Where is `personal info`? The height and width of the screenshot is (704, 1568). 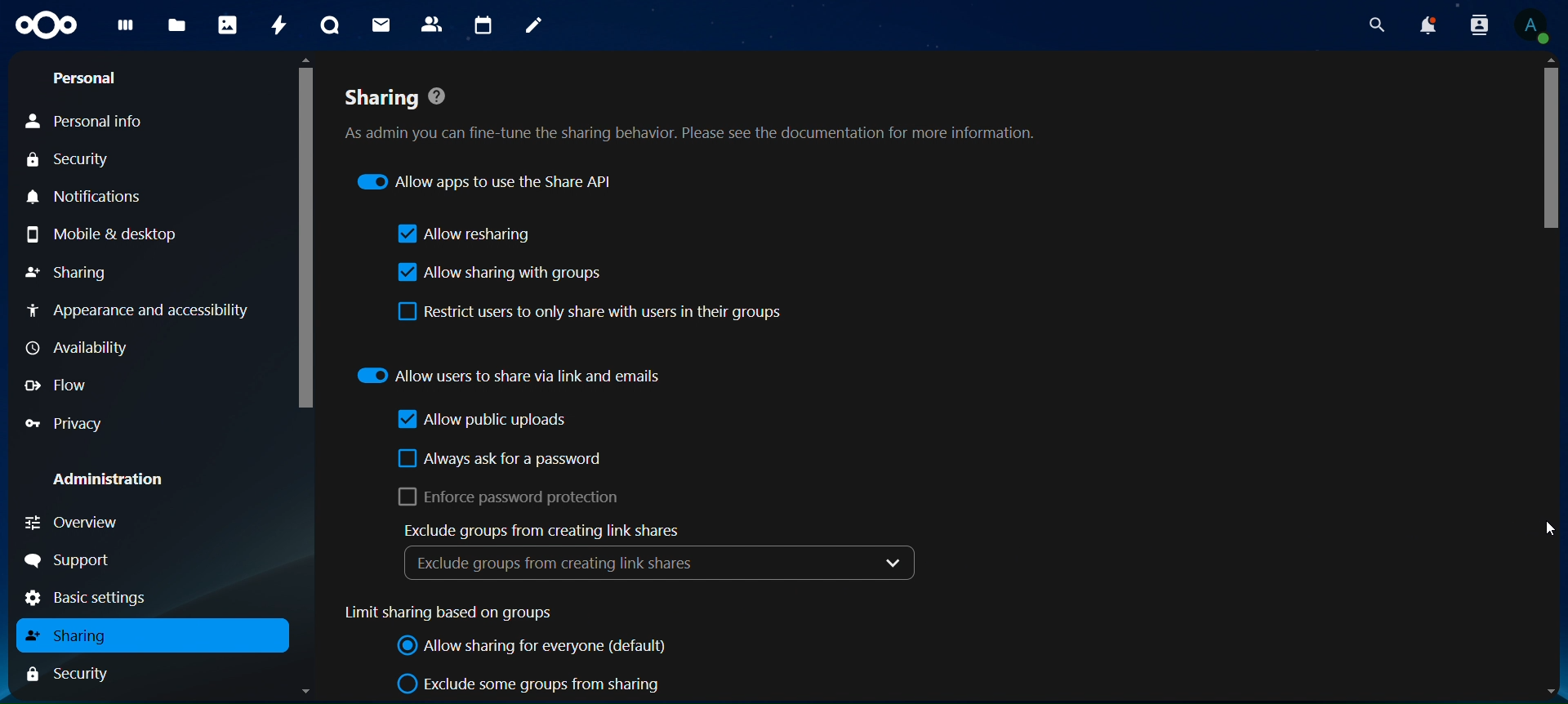
personal info is located at coordinates (87, 122).